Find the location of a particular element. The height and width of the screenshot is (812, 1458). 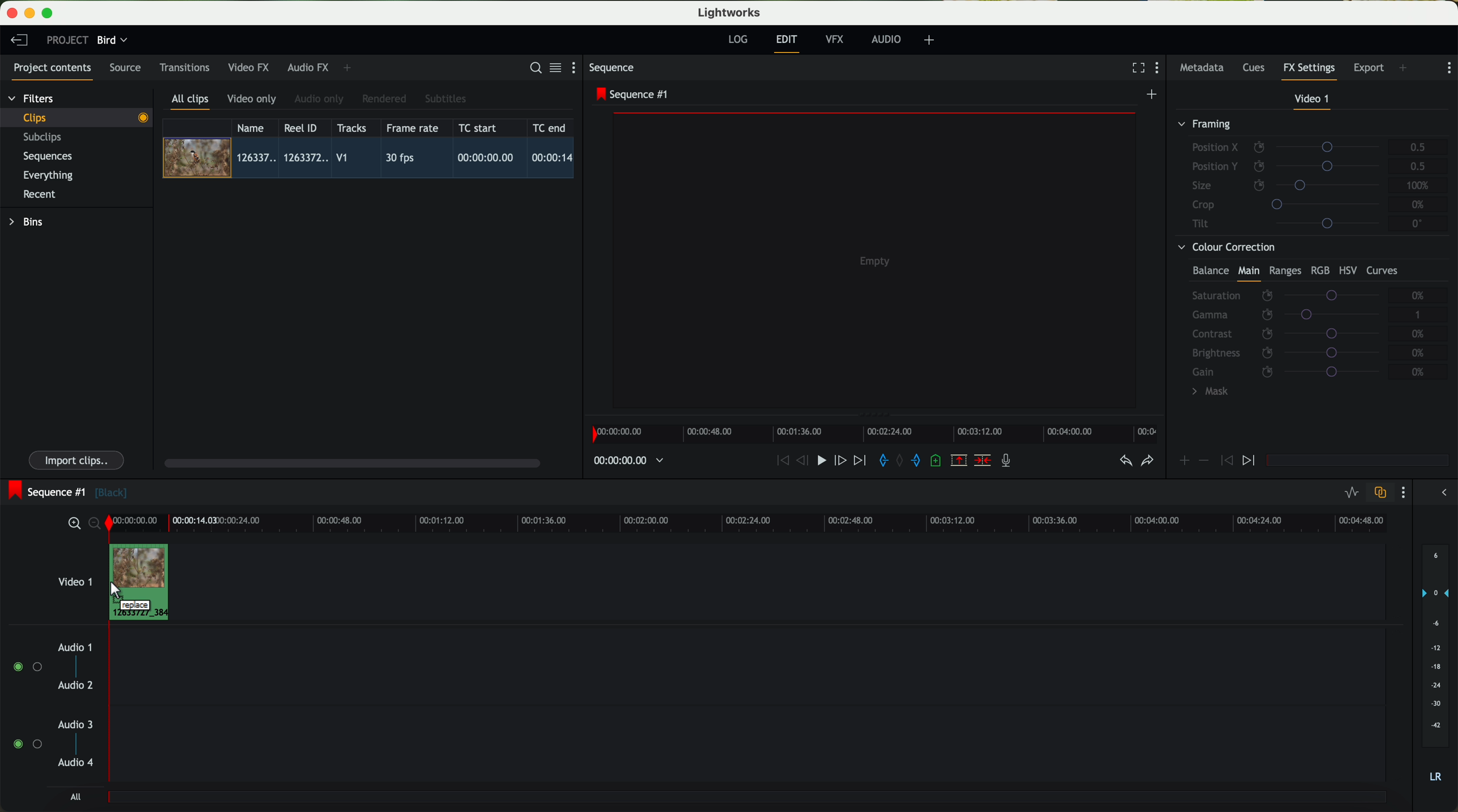

metadata is located at coordinates (1204, 68).